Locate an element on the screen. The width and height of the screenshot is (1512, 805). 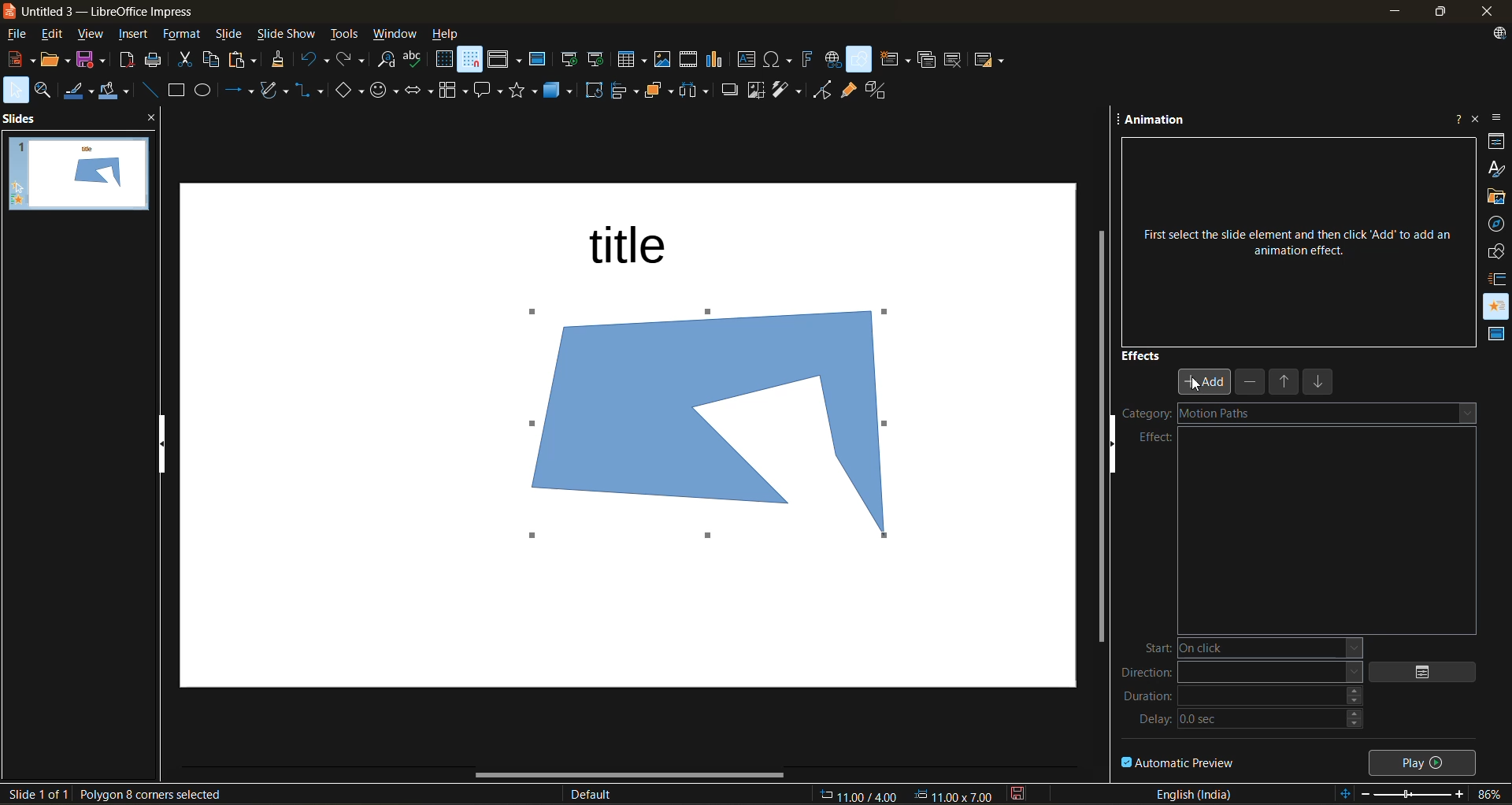
start from first slide is located at coordinates (567, 59).